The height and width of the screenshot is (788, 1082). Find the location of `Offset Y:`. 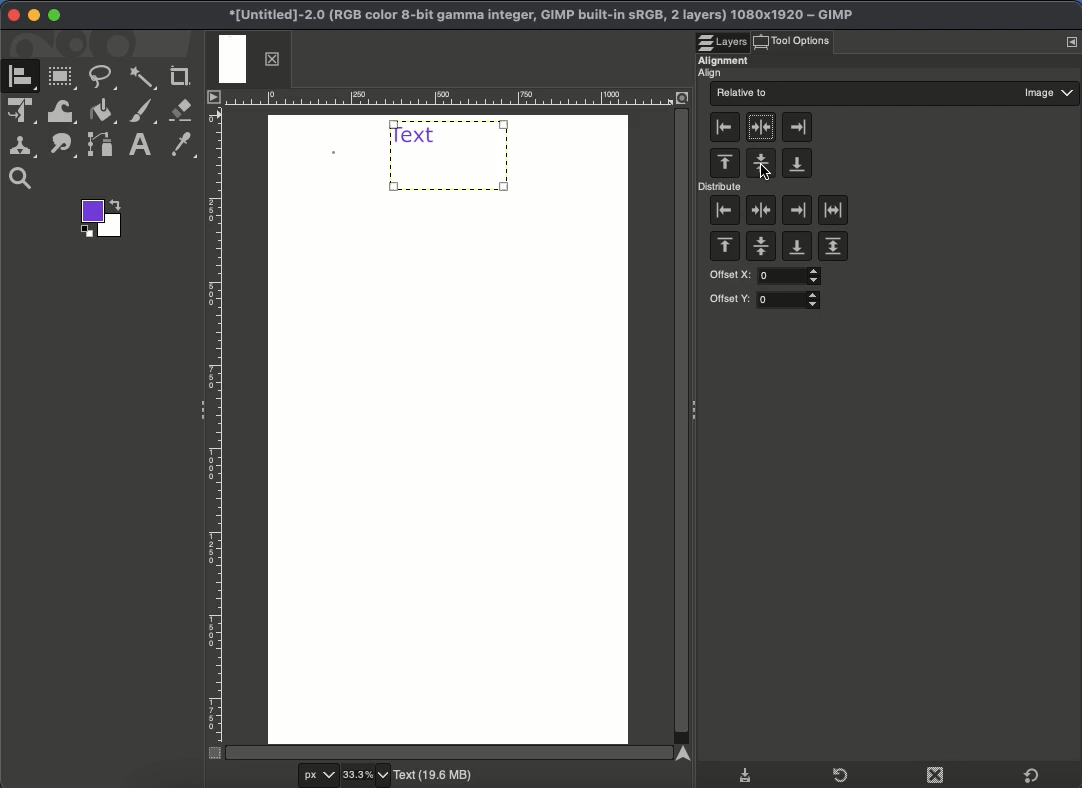

Offset Y: is located at coordinates (766, 300).